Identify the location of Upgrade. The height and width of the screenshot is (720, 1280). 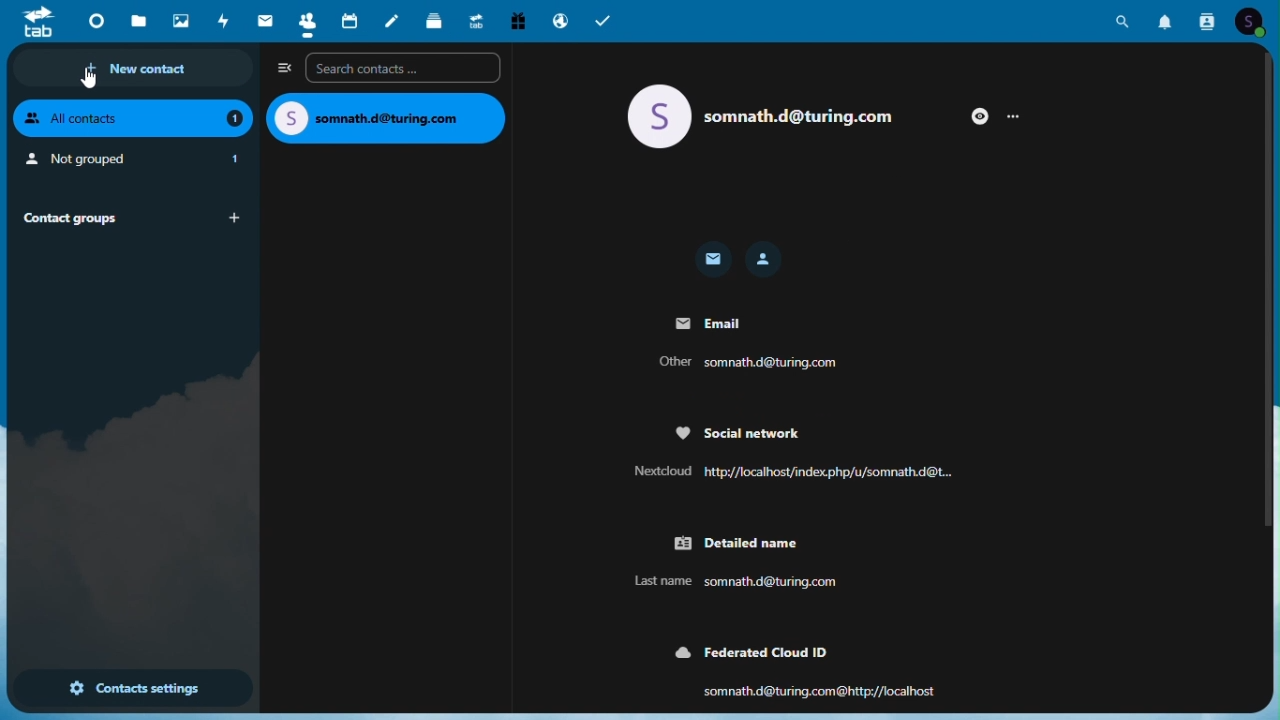
(476, 19).